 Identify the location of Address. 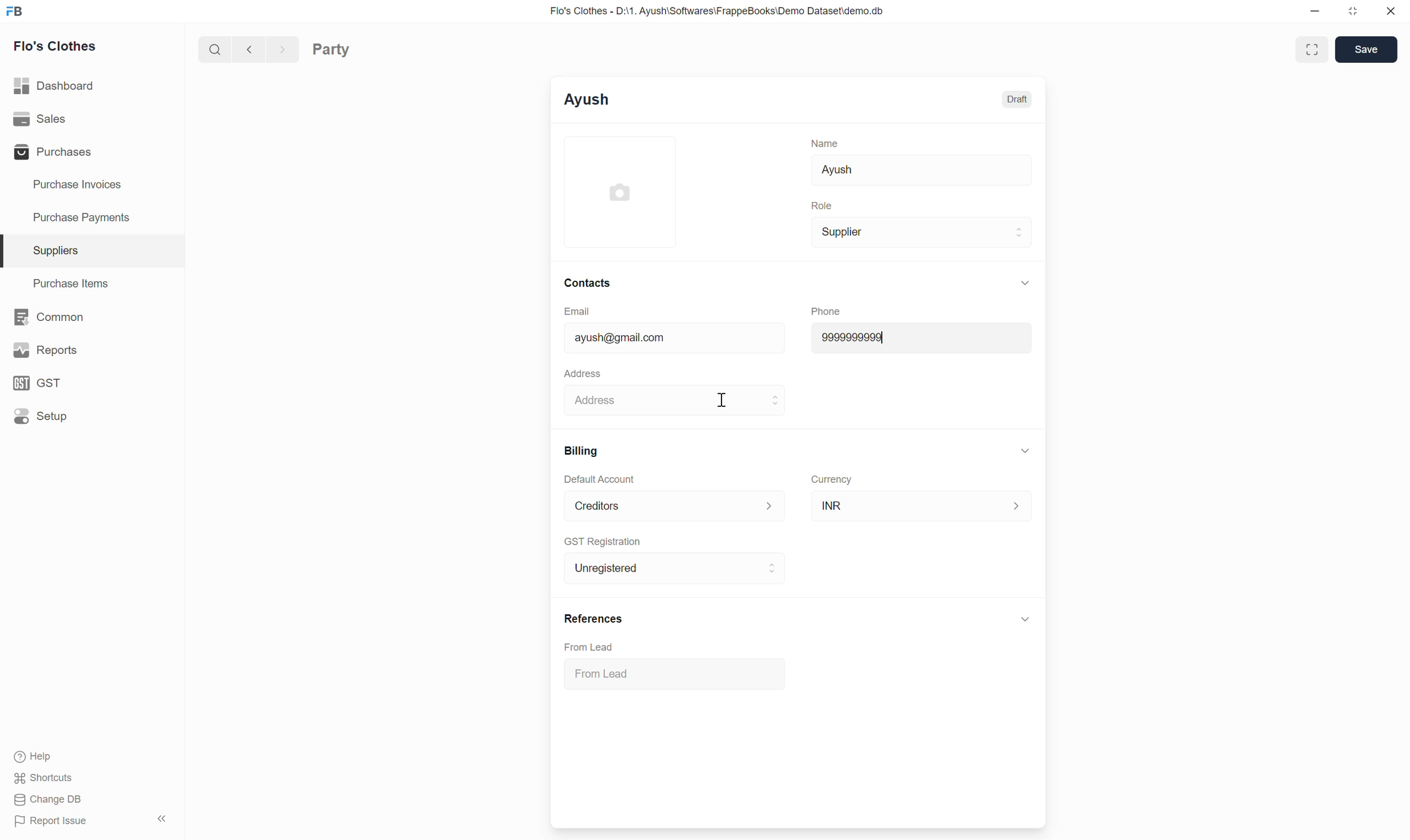
(583, 373).